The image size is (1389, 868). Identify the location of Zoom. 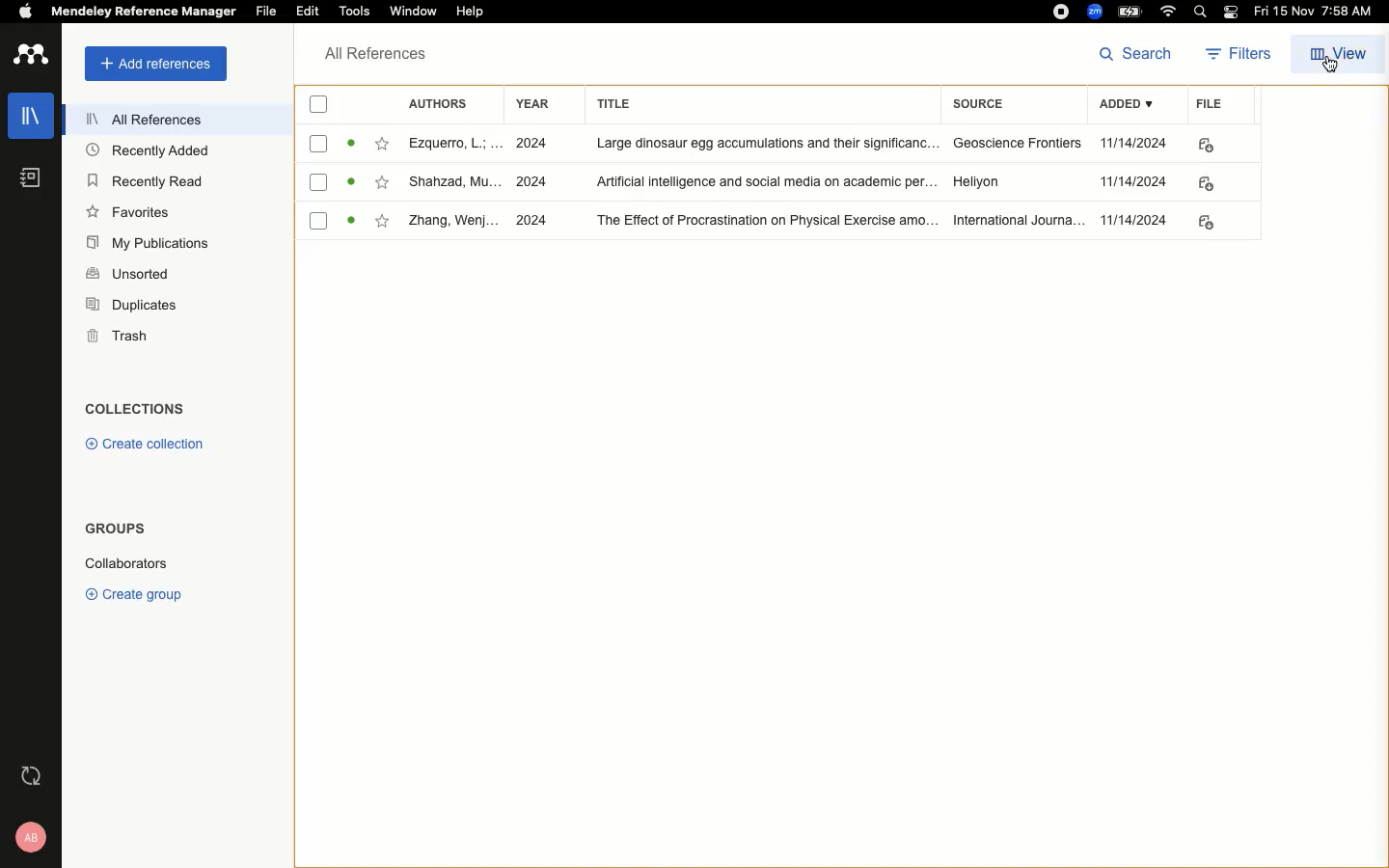
(1093, 12).